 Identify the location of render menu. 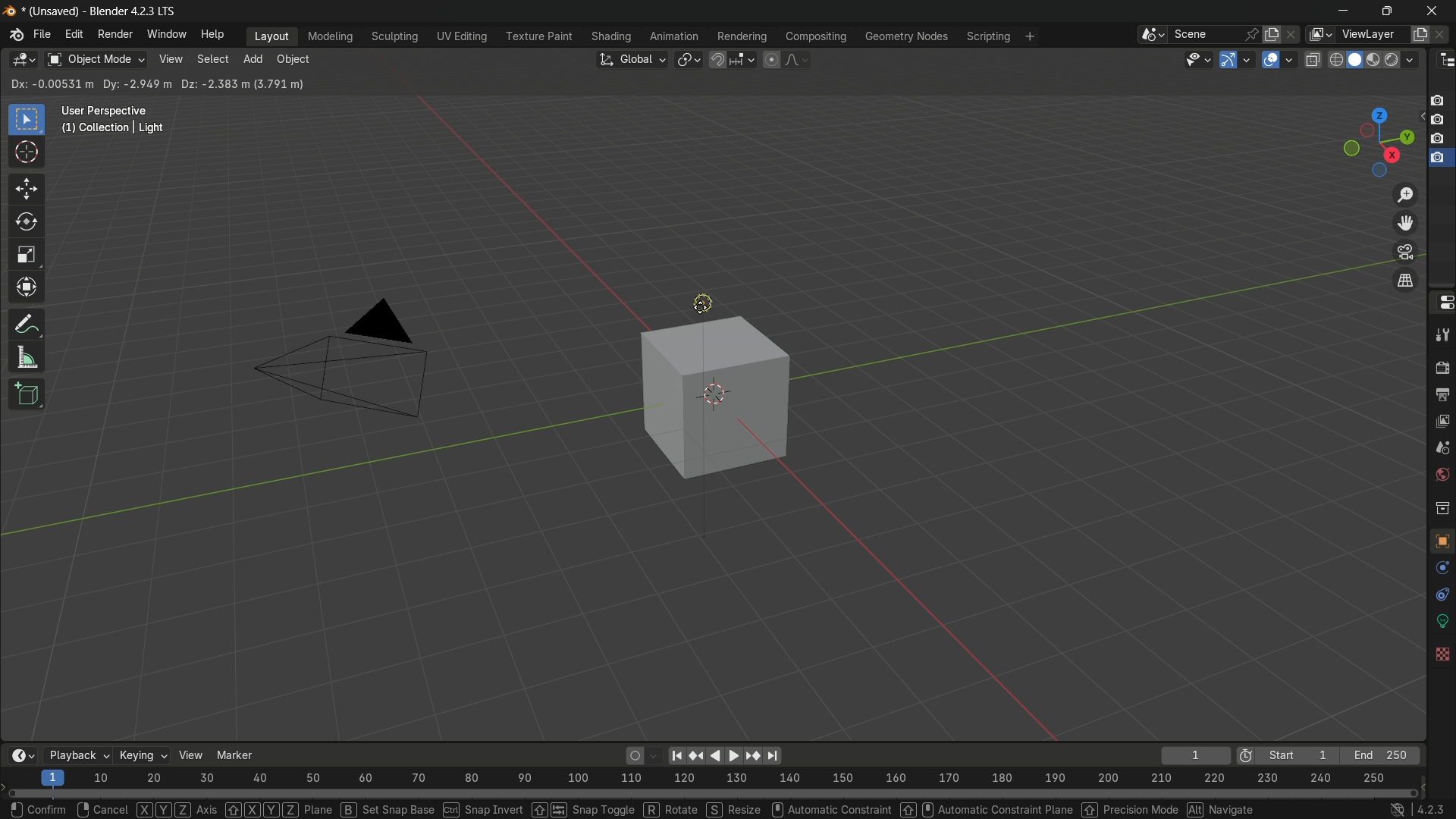
(116, 34).